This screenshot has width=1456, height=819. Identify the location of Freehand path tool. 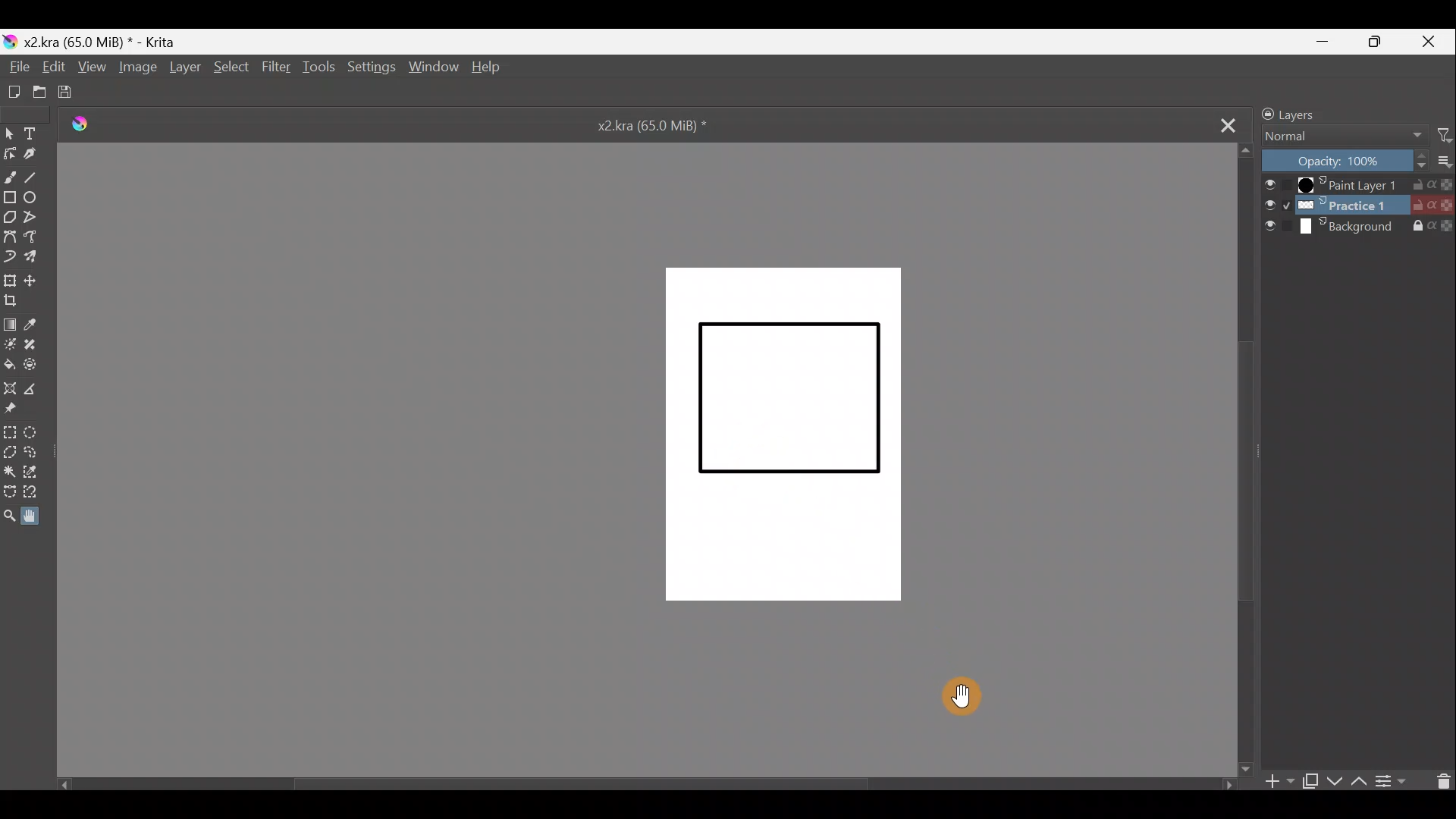
(35, 238).